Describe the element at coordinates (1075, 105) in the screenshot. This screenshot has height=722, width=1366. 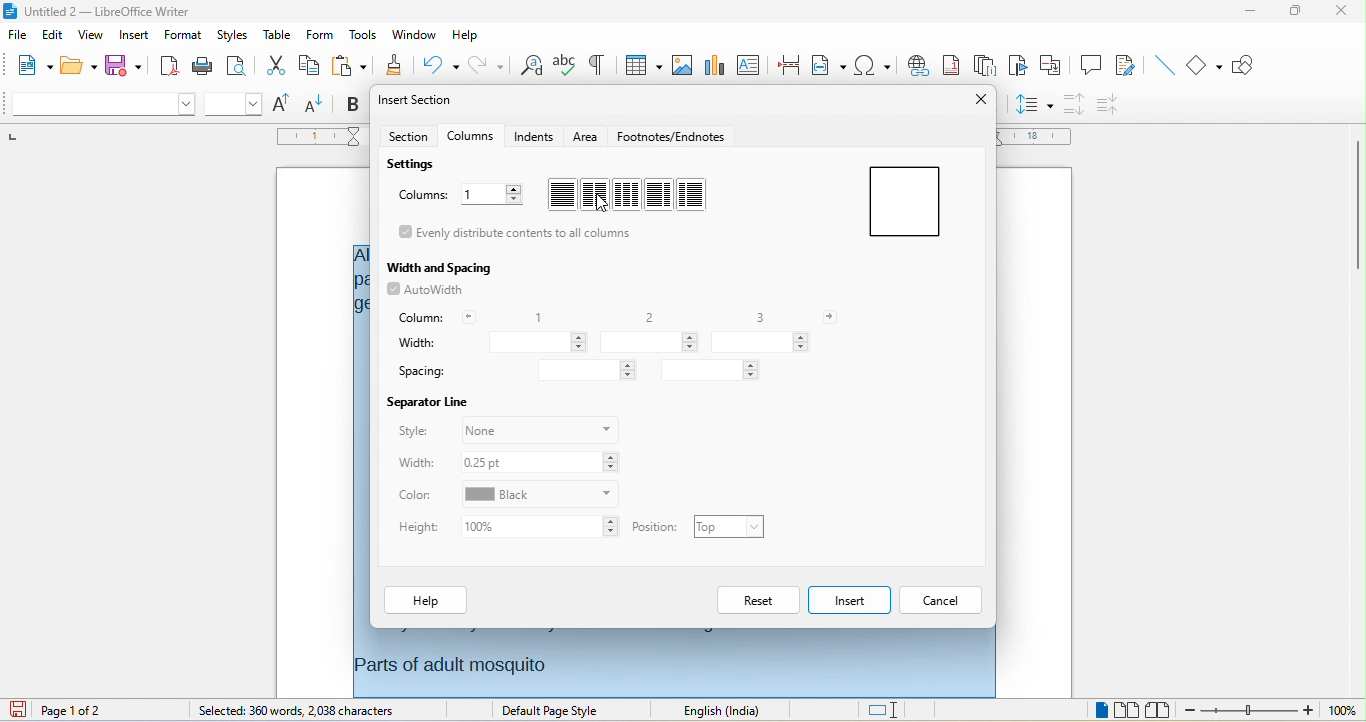
I see `increase paragraph spacing` at that location.